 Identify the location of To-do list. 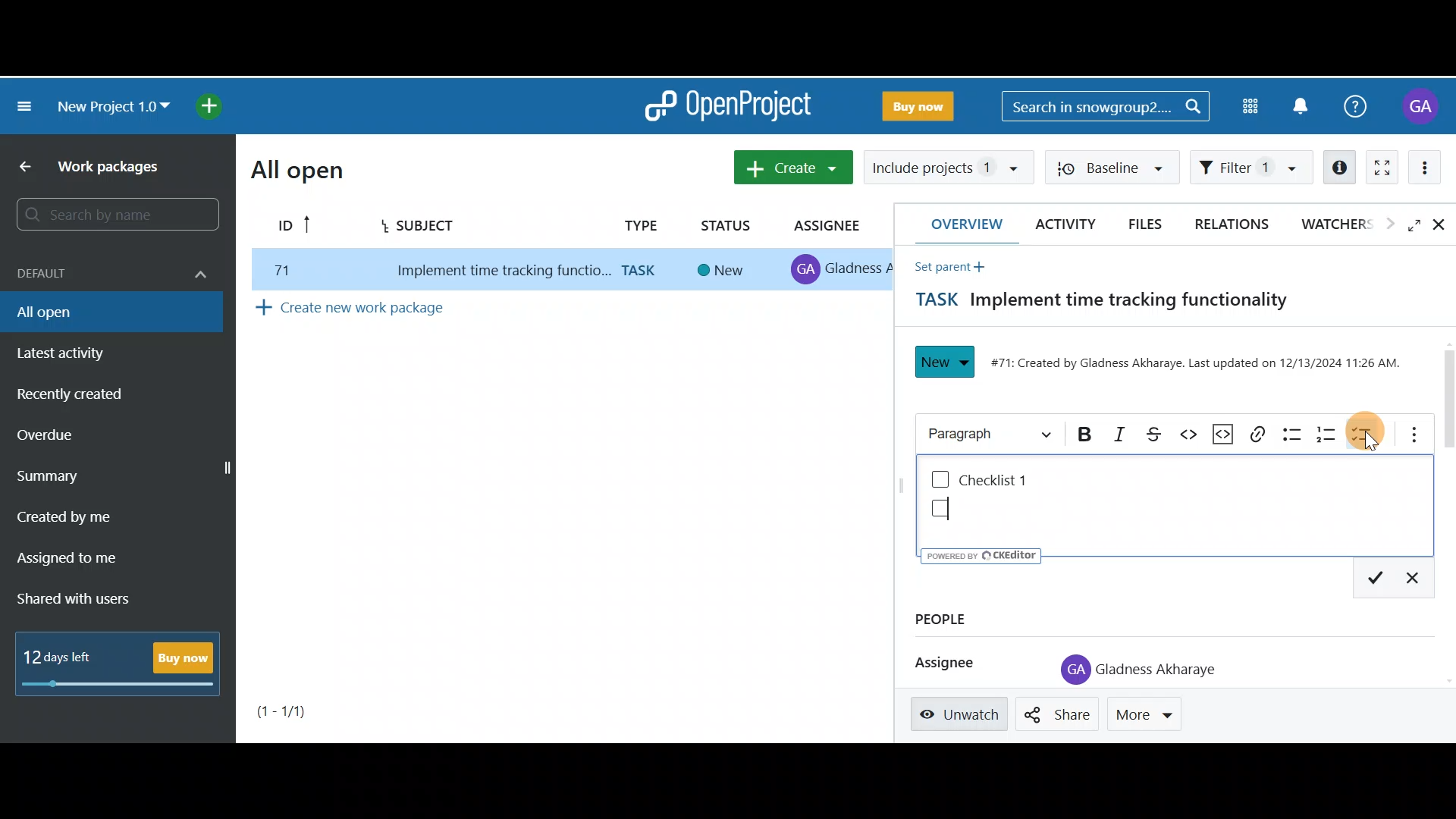
(1366, 431).